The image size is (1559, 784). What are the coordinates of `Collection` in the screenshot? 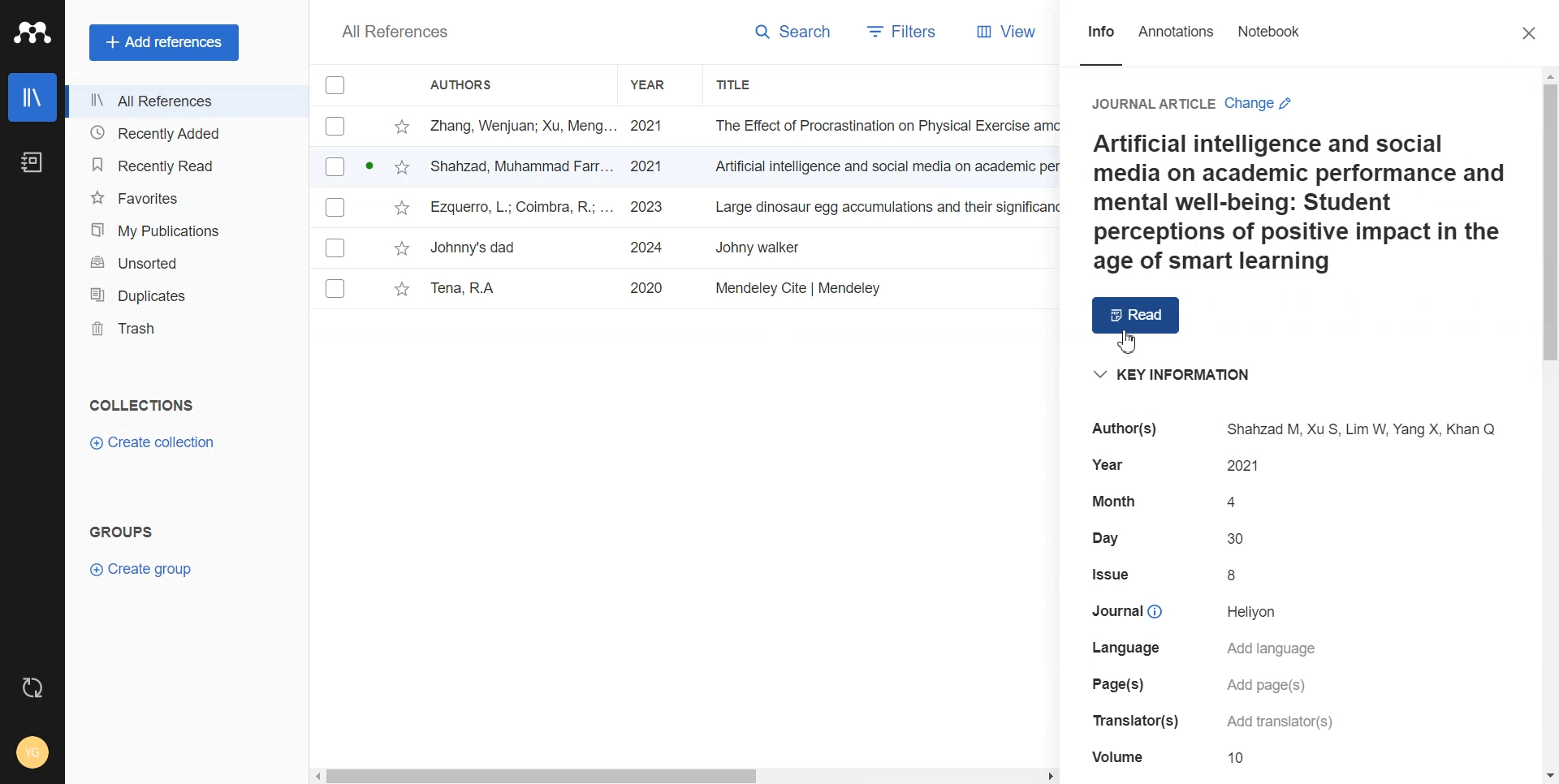 It's located at (143, 405).